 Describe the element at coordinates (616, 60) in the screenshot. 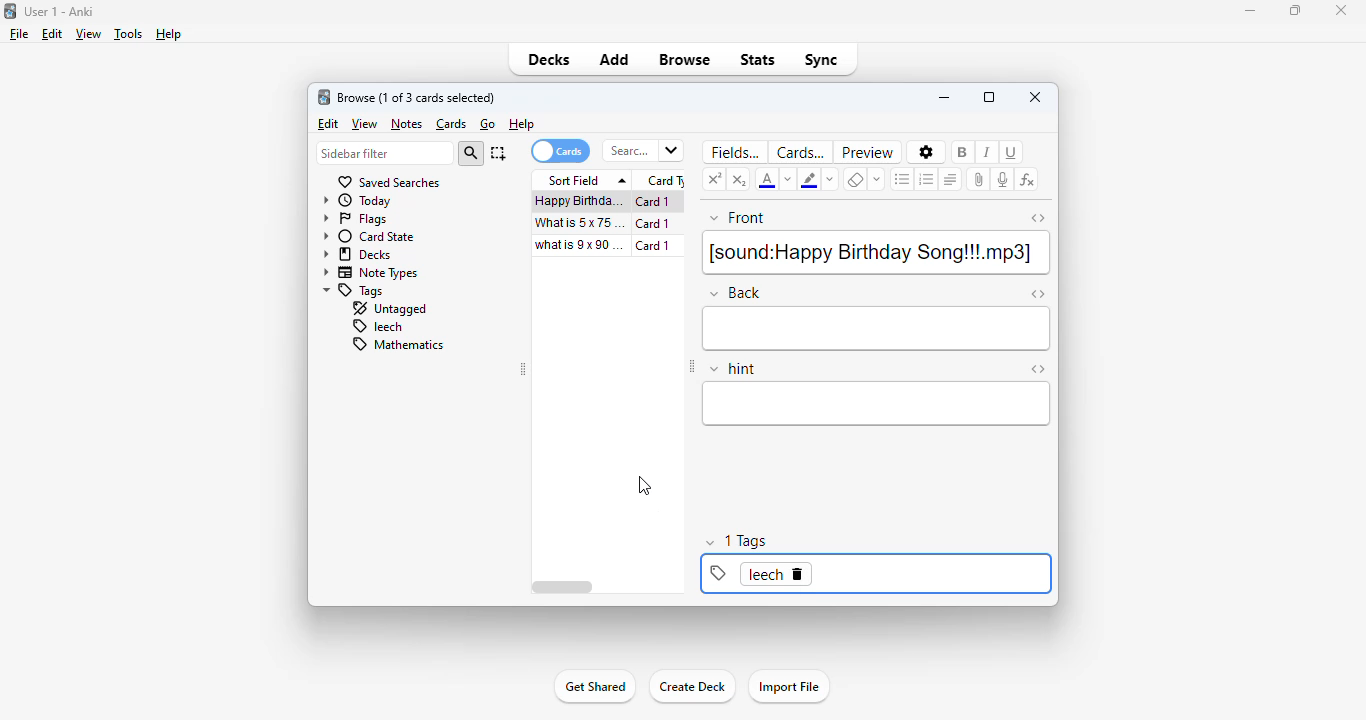

I see `add` at that location.